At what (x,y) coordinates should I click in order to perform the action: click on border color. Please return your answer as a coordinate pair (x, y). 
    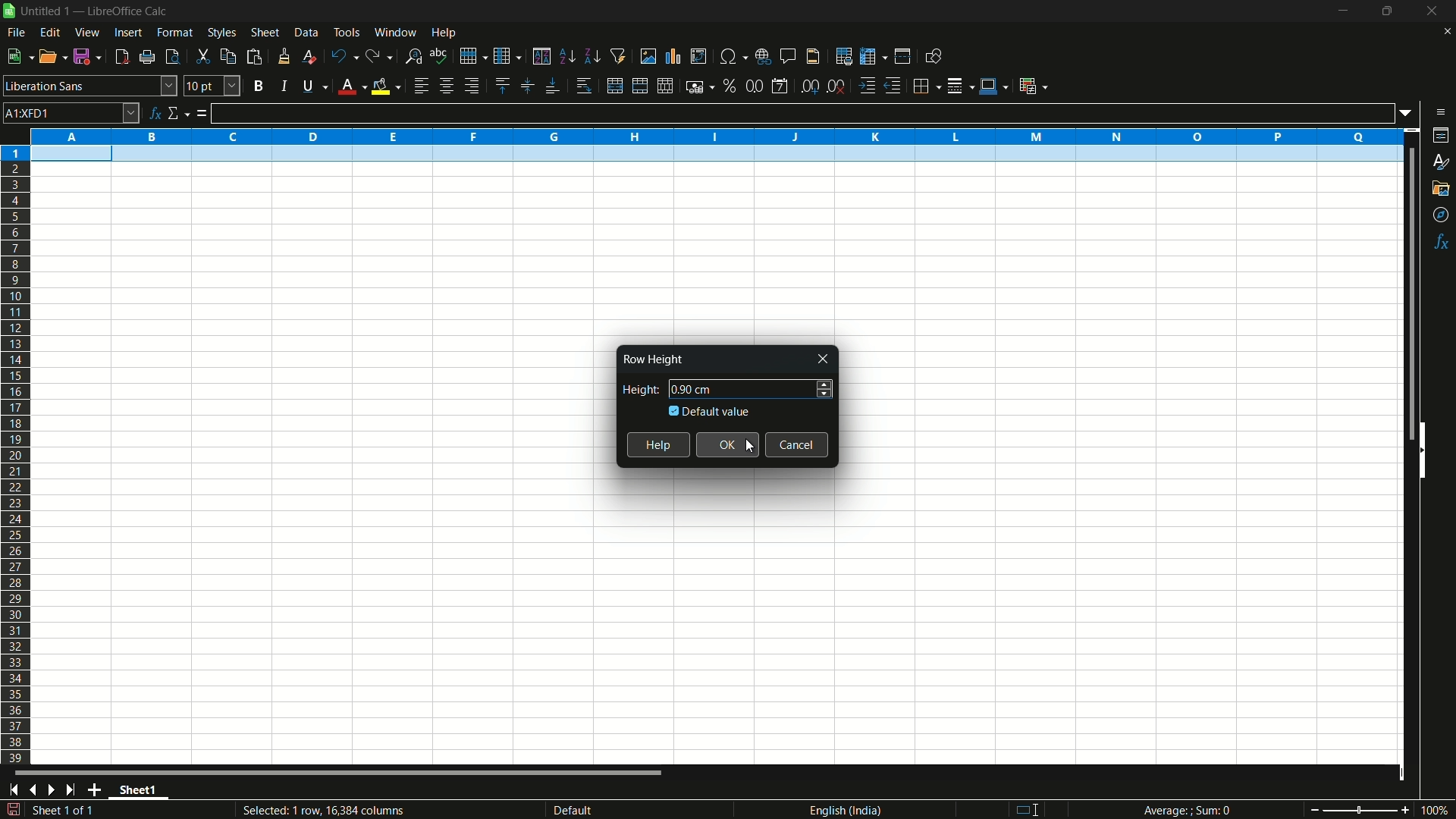
    Looking at the image, I should click on (993, 83).